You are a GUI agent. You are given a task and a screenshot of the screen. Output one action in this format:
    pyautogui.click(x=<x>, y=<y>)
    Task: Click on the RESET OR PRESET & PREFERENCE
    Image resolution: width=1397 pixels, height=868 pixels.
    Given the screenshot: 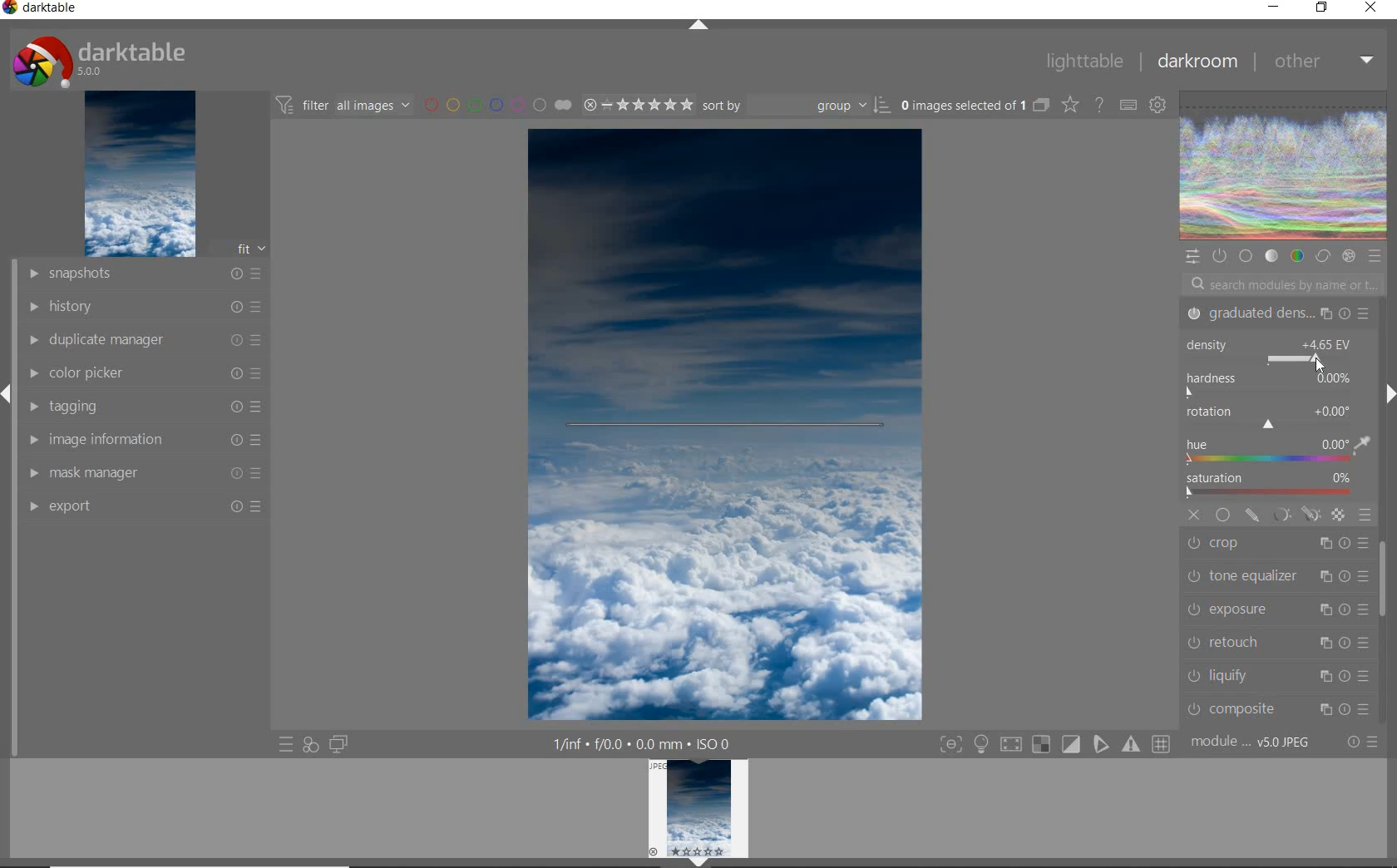 What is the action you would take?
    pyautogui.click(x=1361, y=741)
    